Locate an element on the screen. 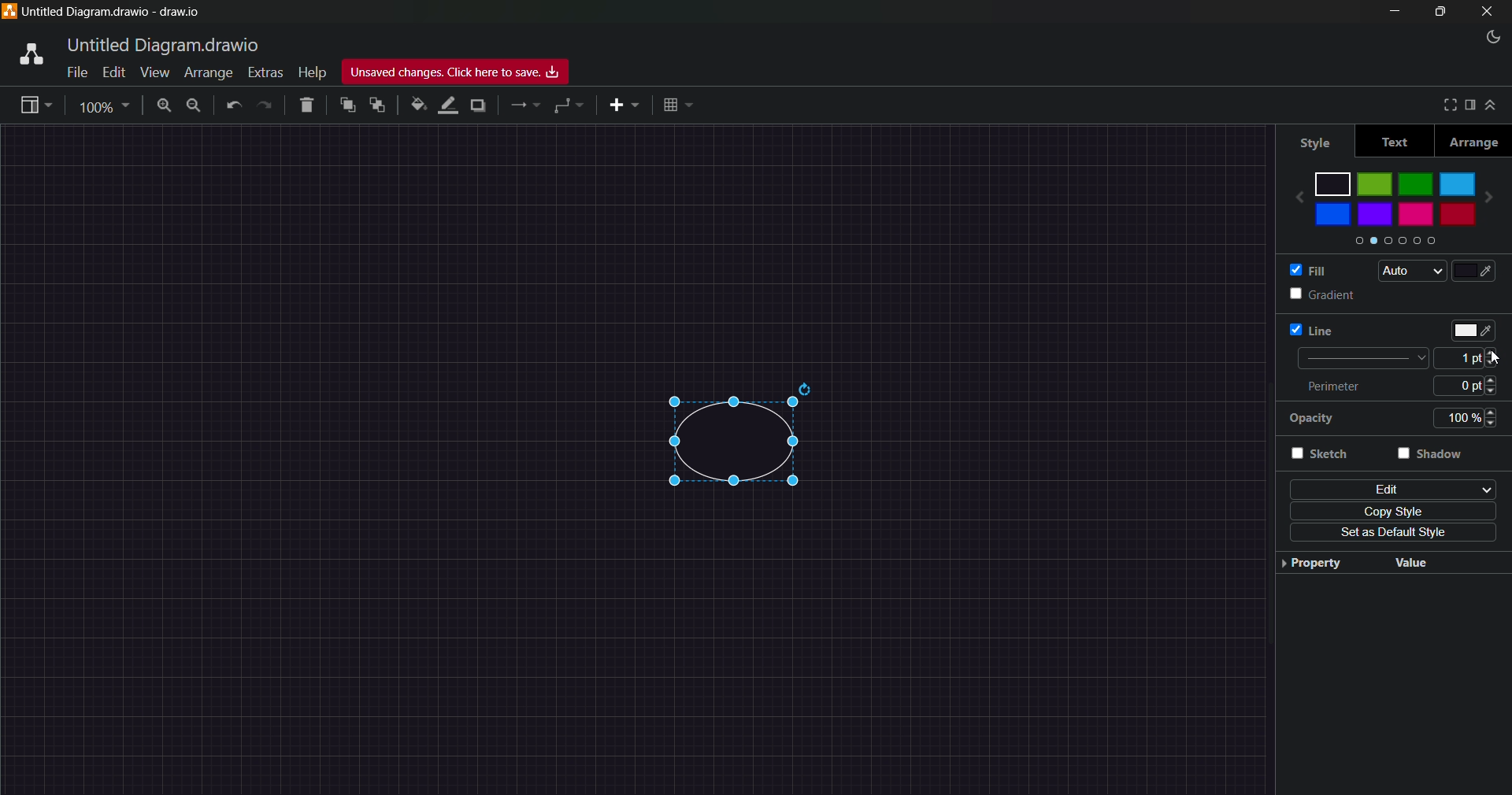  zoom is located at coordinates (106, 106).